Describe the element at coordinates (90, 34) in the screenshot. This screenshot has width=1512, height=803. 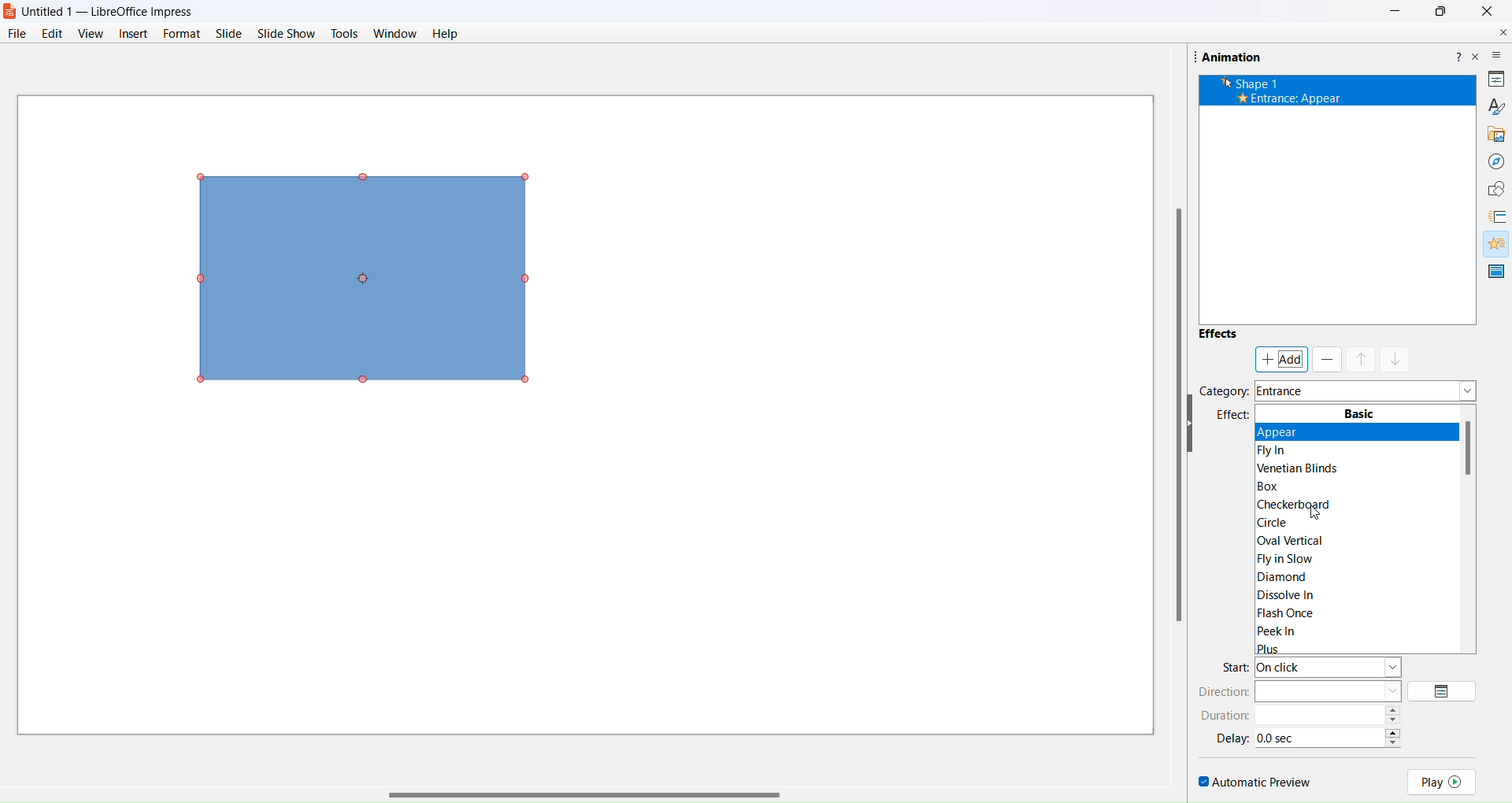
I see `view` at that location.